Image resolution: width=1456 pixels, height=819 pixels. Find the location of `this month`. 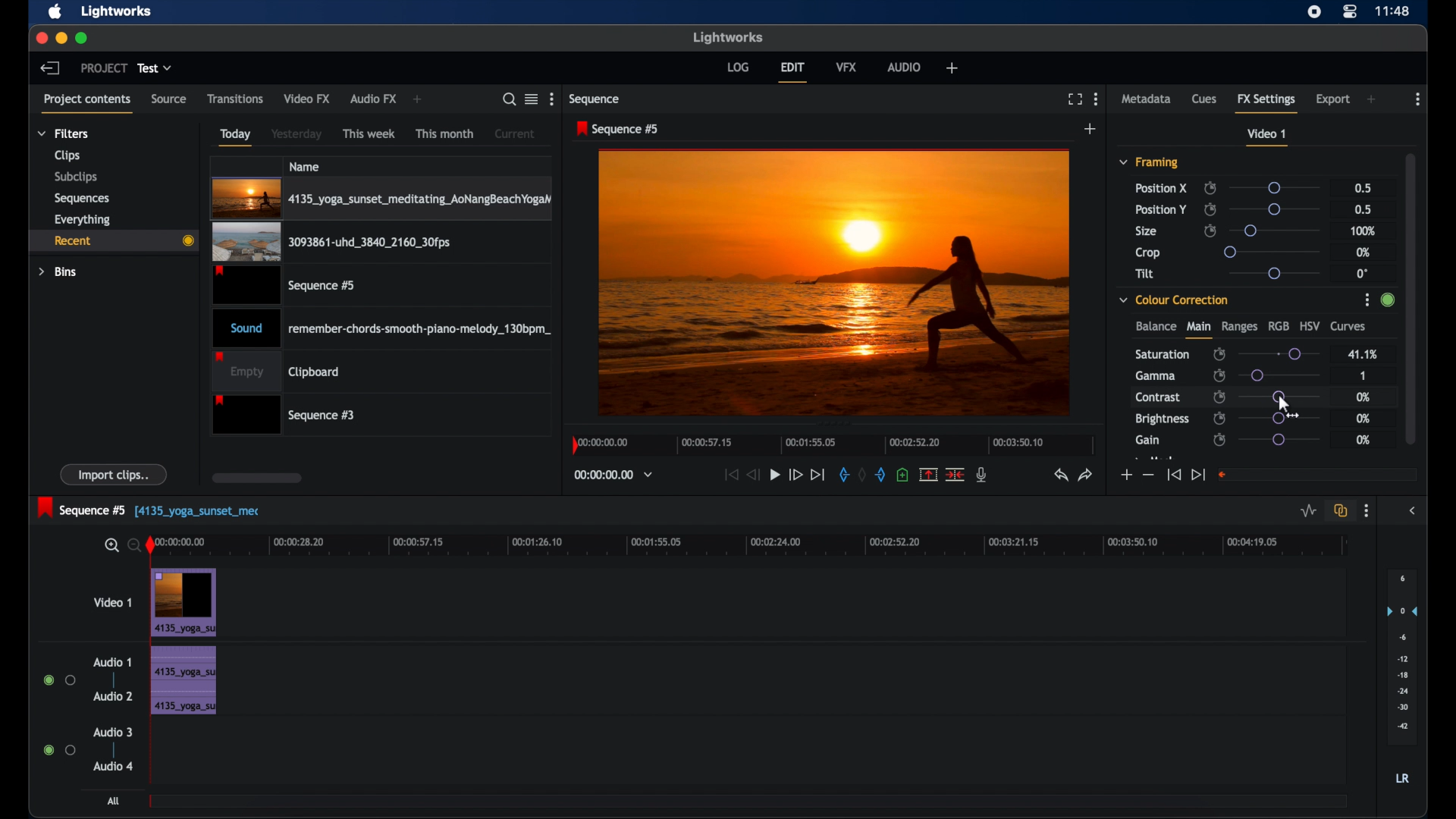

this month is located at coordinates (444, 133).